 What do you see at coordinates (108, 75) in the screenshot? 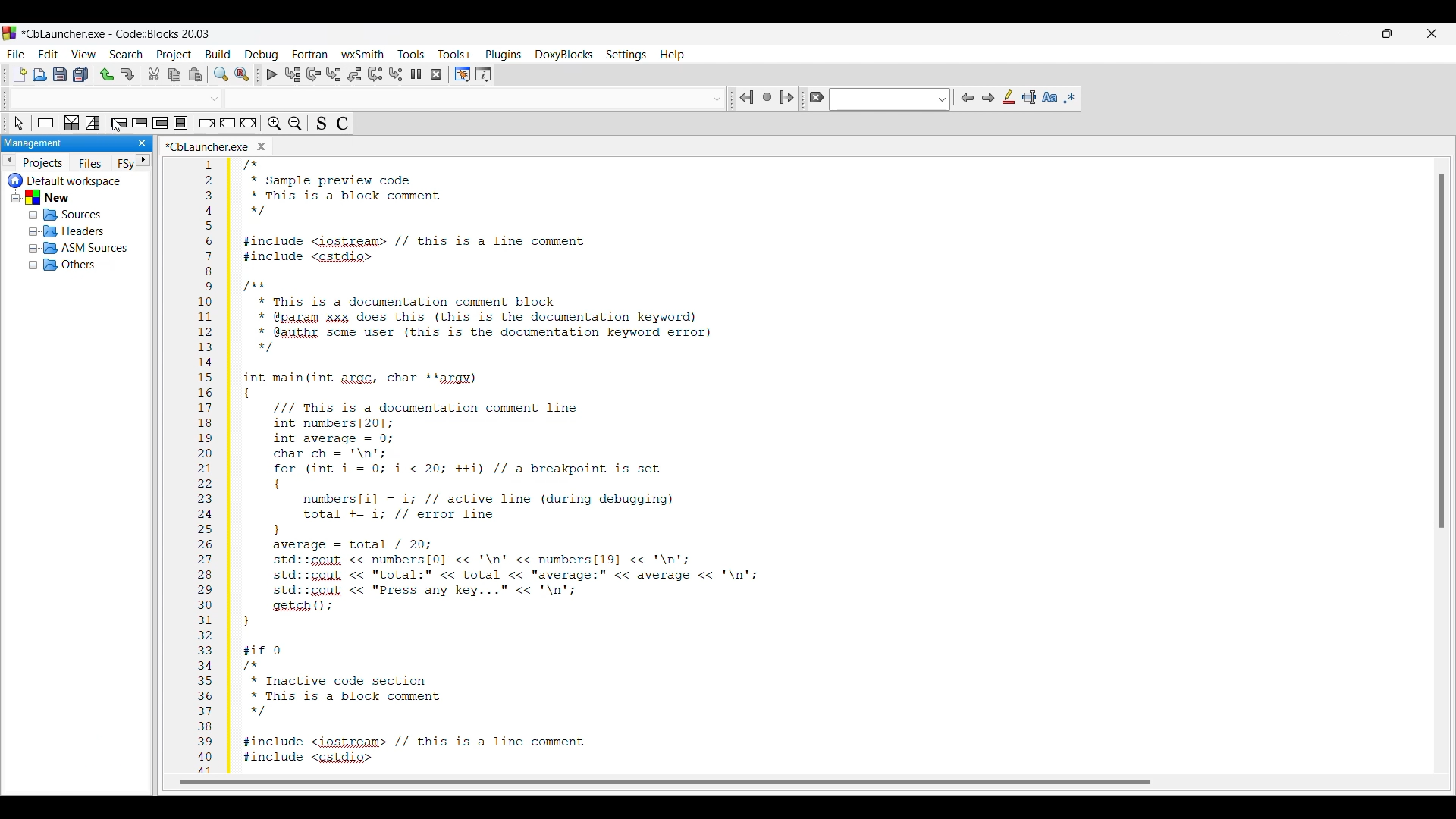
I see `Undo` at bounding box center [108, 75].